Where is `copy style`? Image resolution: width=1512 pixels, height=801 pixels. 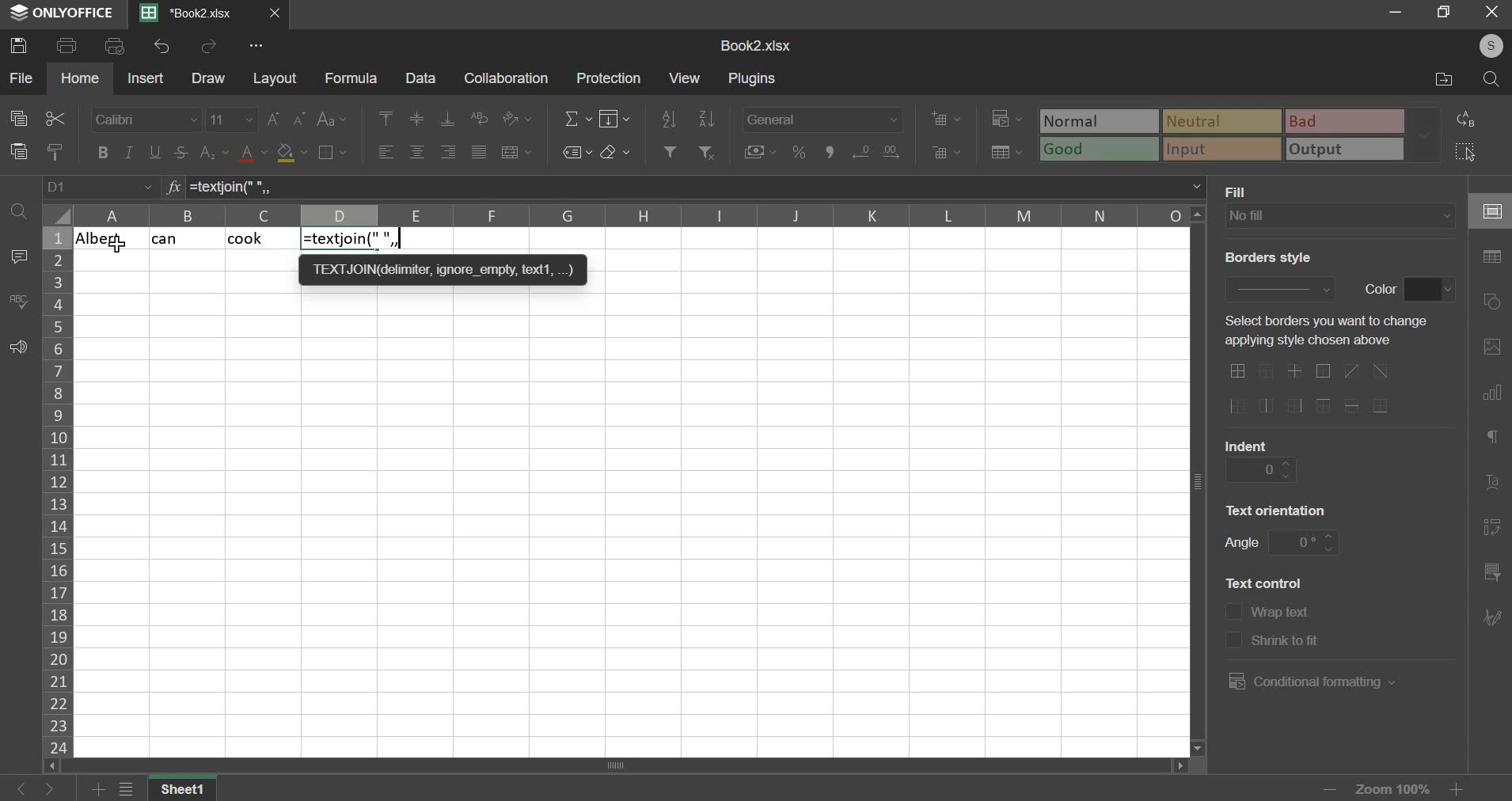 copy style is located at coordinates (56, 151).